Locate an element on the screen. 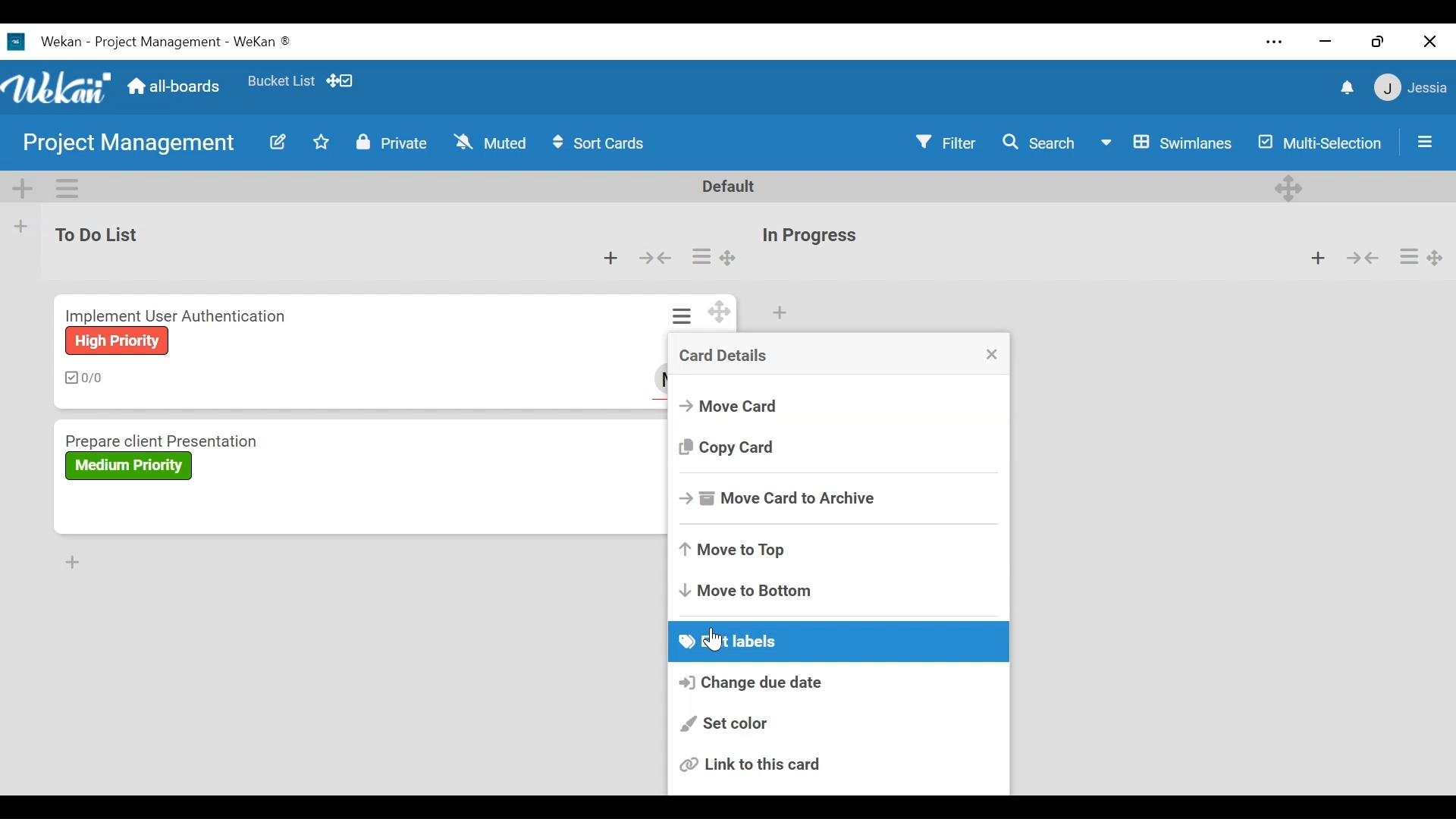 The width and height of the screenshot is (1456, 819). Add Swimlane is located at coordinates (24, 188).